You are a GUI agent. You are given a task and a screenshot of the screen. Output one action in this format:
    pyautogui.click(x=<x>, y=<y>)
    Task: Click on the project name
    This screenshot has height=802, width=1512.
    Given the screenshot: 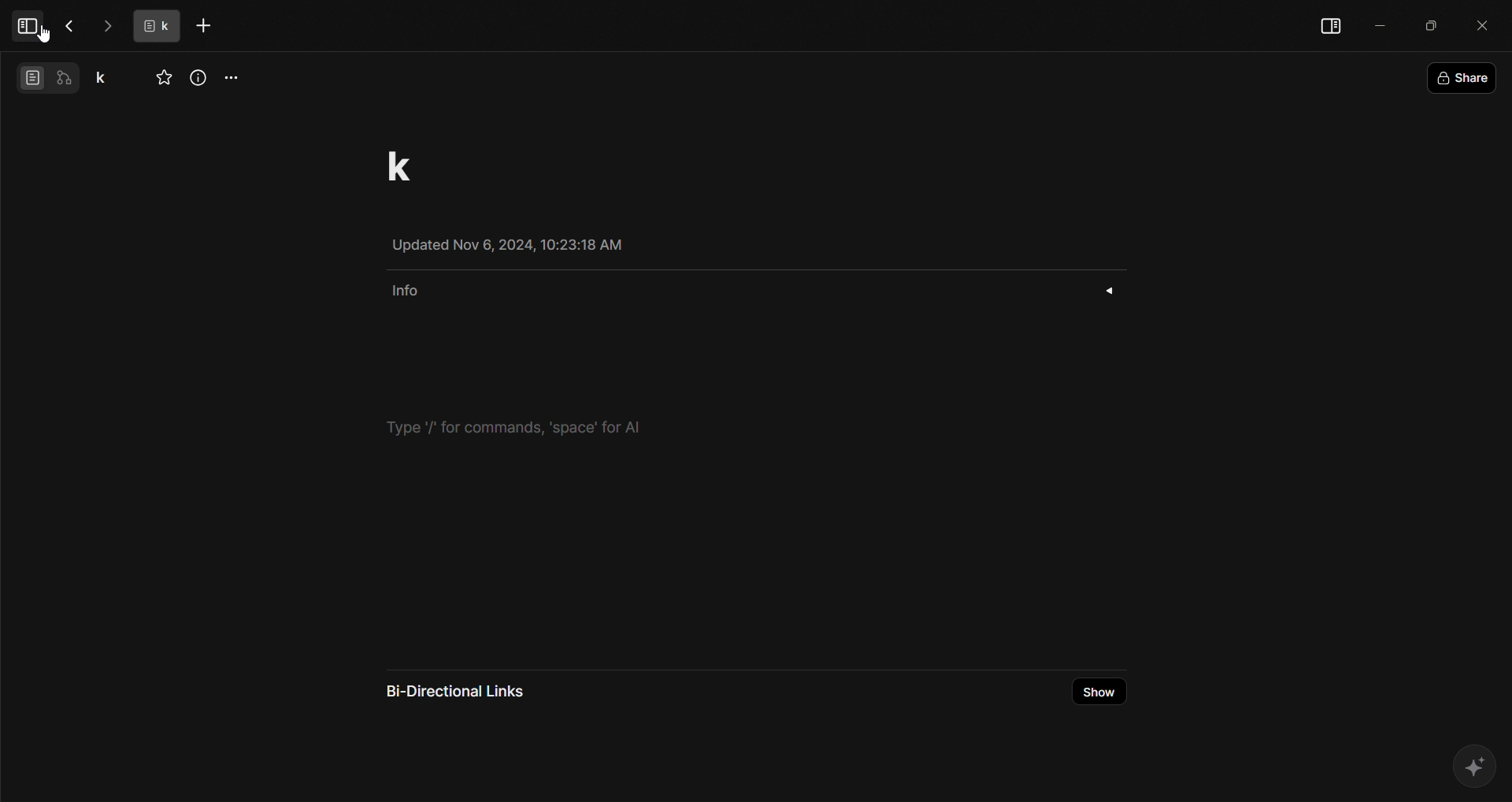 What is the action you would take?
    pyautogui.click(x=106, y=76)
    